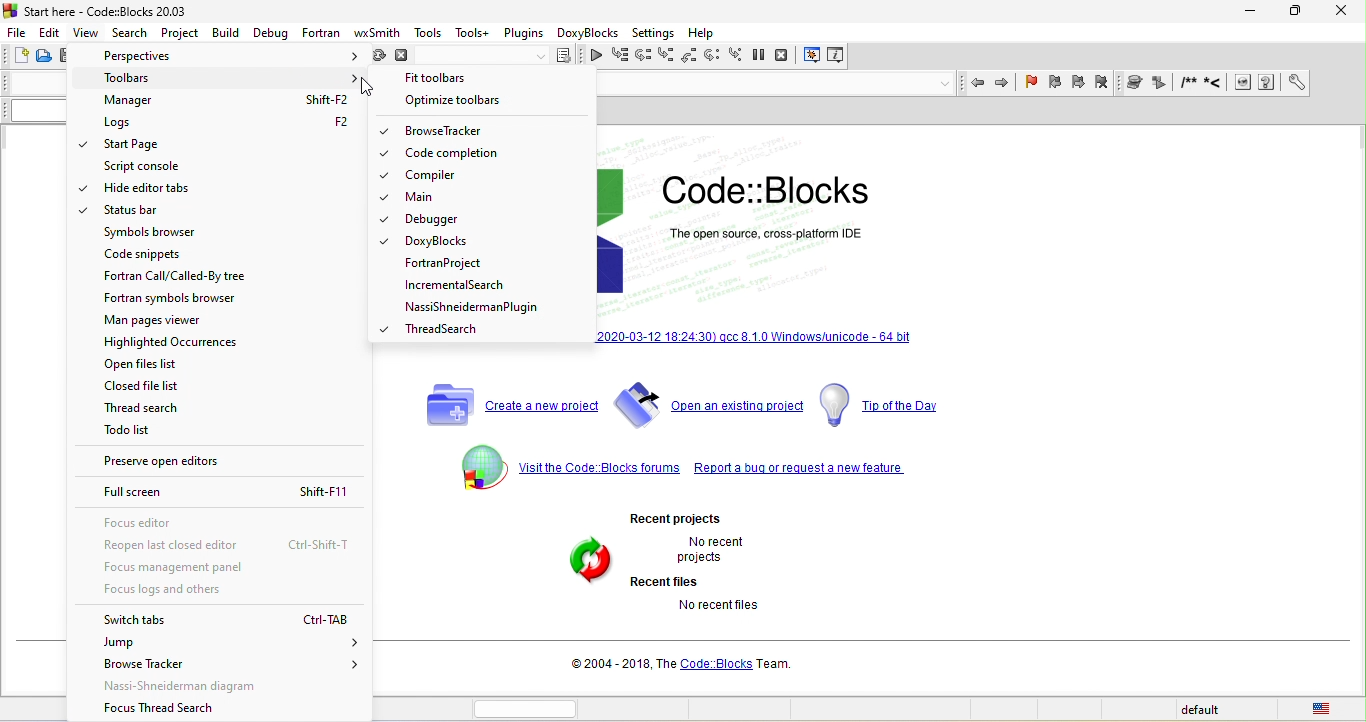 This screenshot has height=722, width=1366. Describe the element at coordinates (146, 168) in the screenshot. I see `script console` at that location.